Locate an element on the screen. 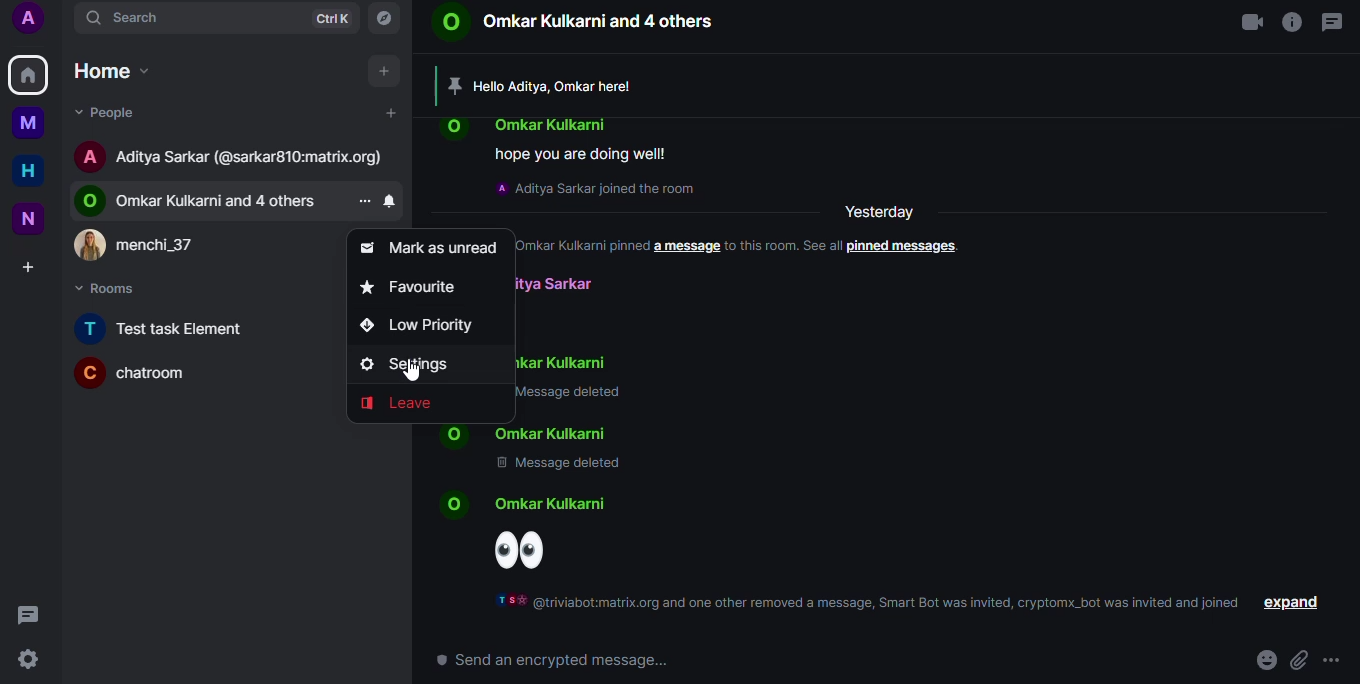 Image resolution: width=1360 pixels, height=684 pixels. leave is located at coordinates (404, 404).